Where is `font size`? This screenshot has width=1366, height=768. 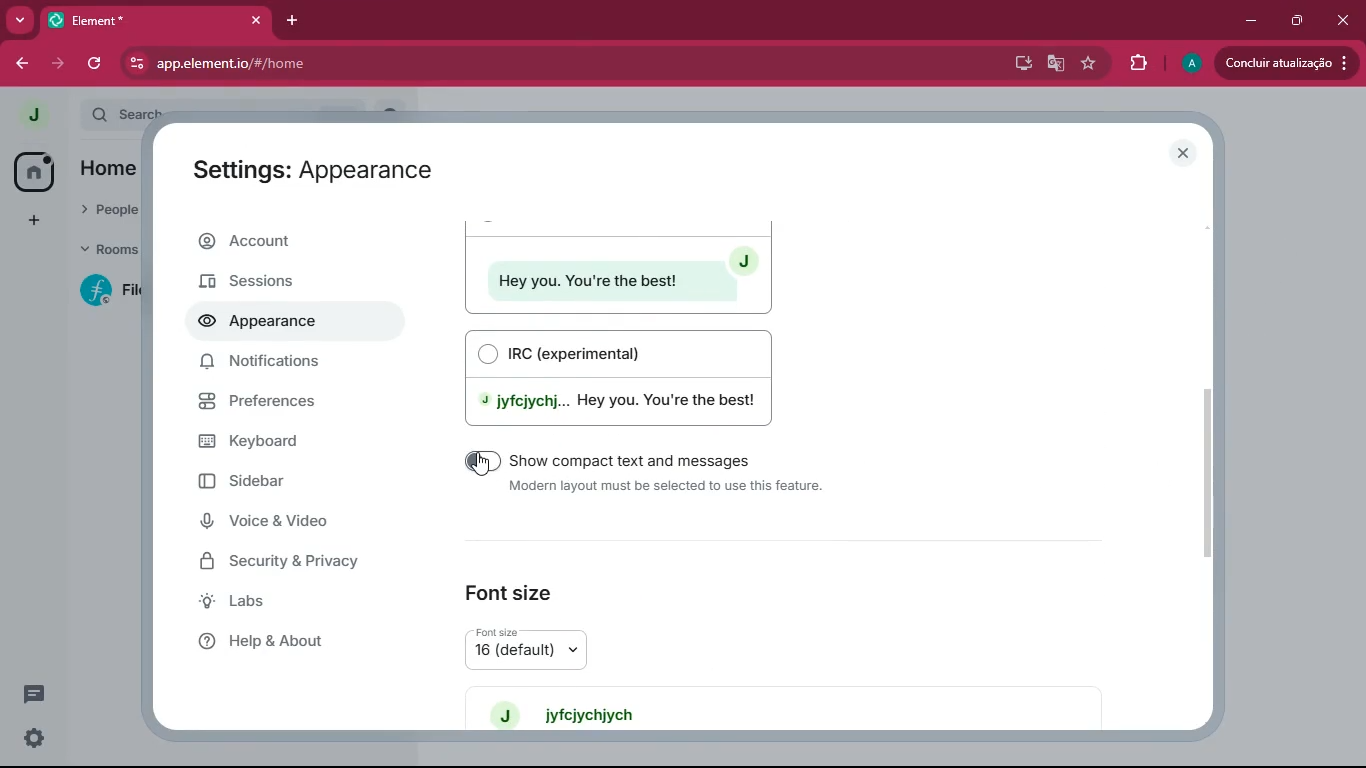 font size is located at coordinates (512, 586).